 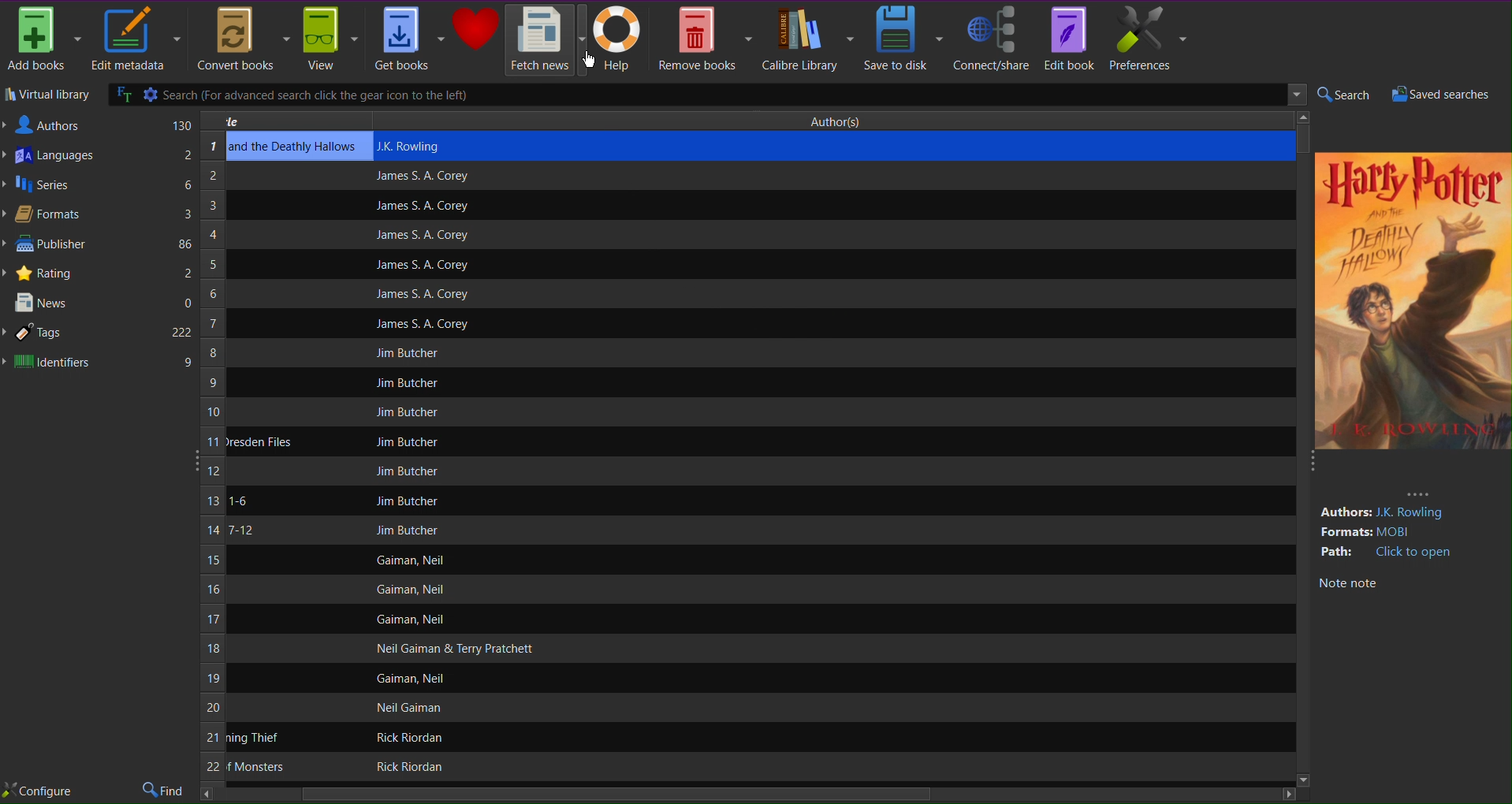 I want to click on harry potter, so click(x=1410, y=181).